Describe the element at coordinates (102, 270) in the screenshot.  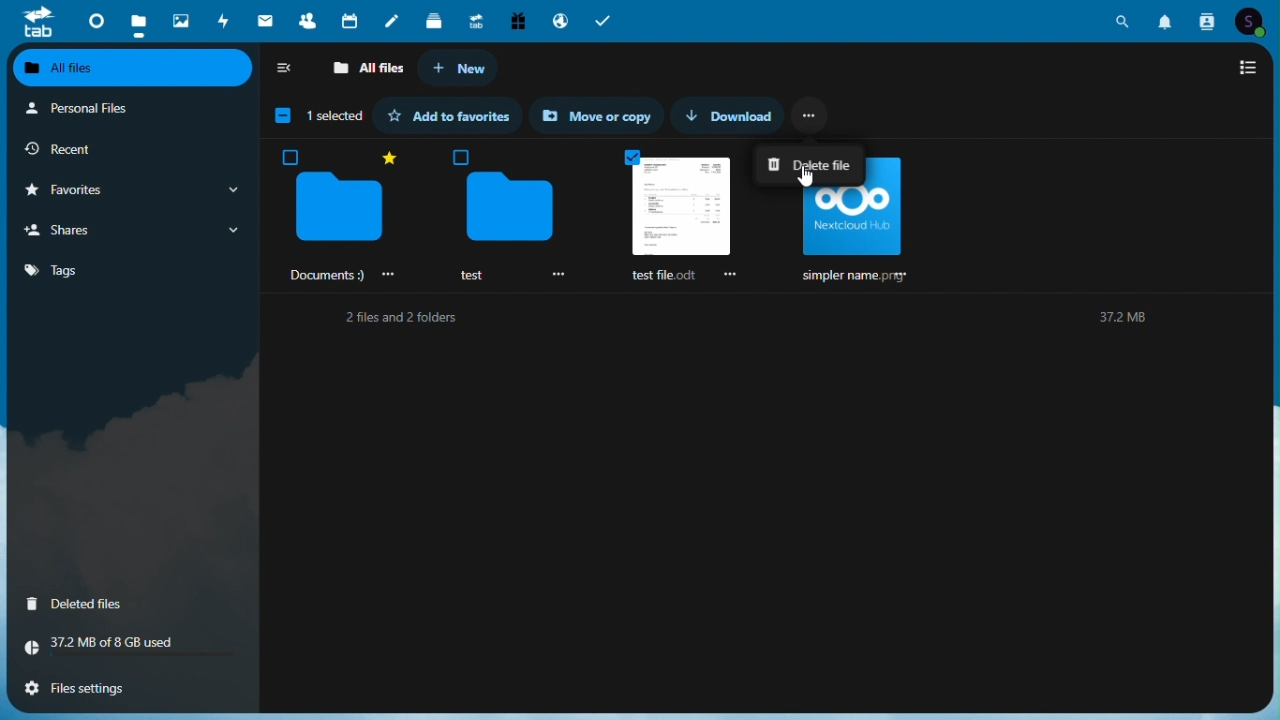
I see `Tag` at that location.